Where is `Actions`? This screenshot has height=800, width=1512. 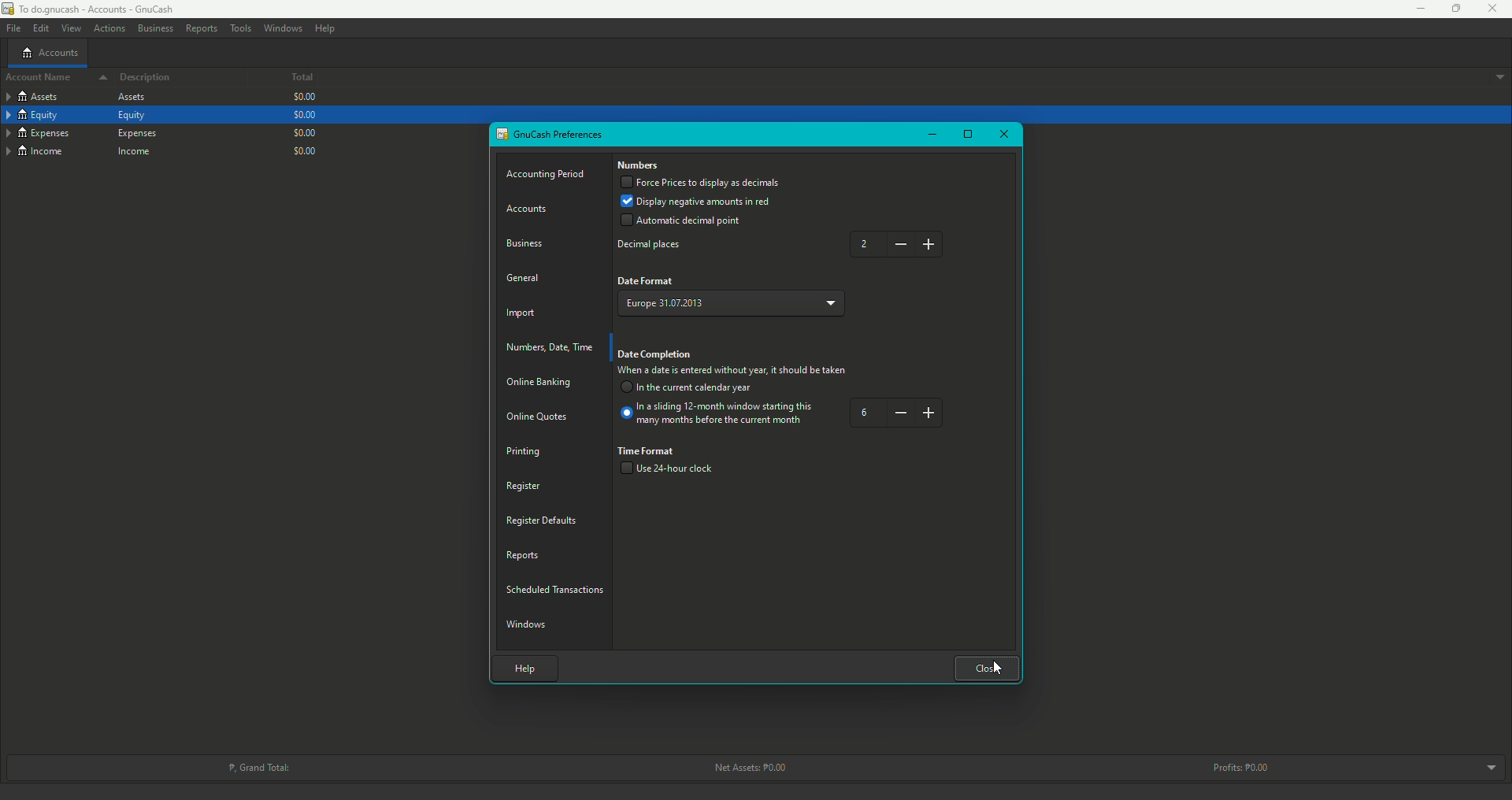 Actions is located at coordinates (109, 29).